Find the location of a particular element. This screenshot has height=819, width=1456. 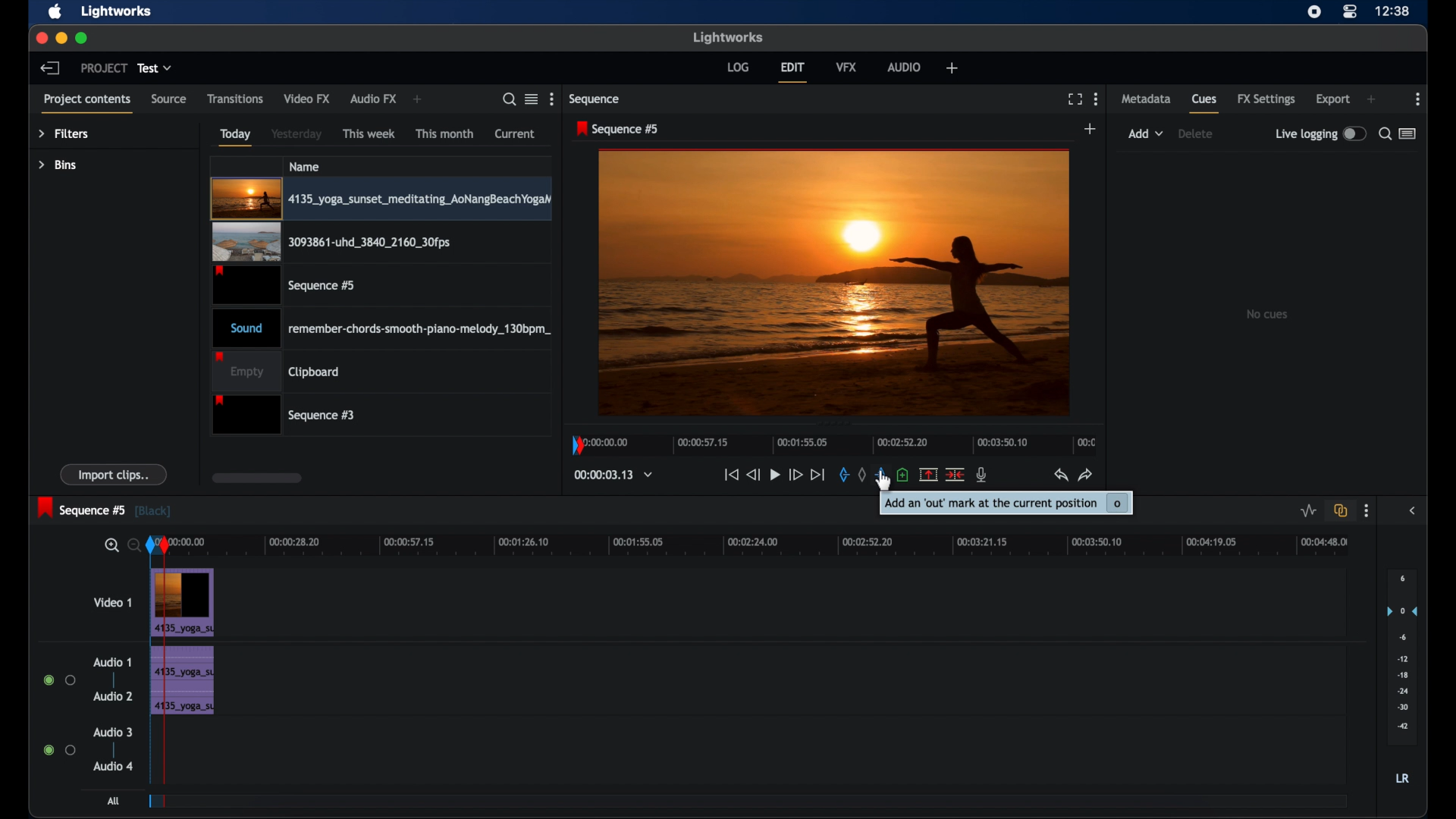

zoom  is located at coordinates (118, 544).